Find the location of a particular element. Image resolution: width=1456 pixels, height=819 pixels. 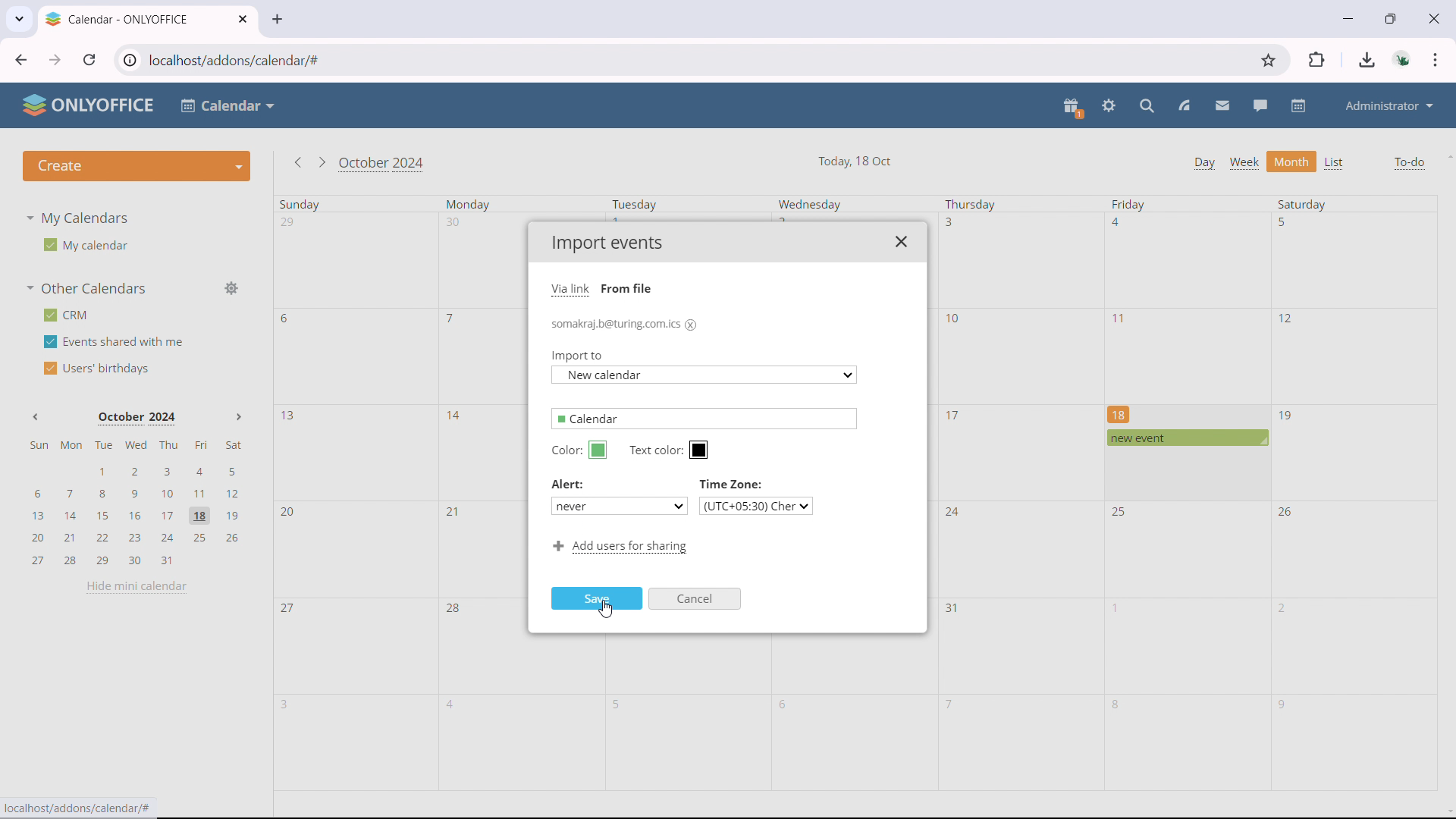

extensions is located at coordinates (1318, 59).